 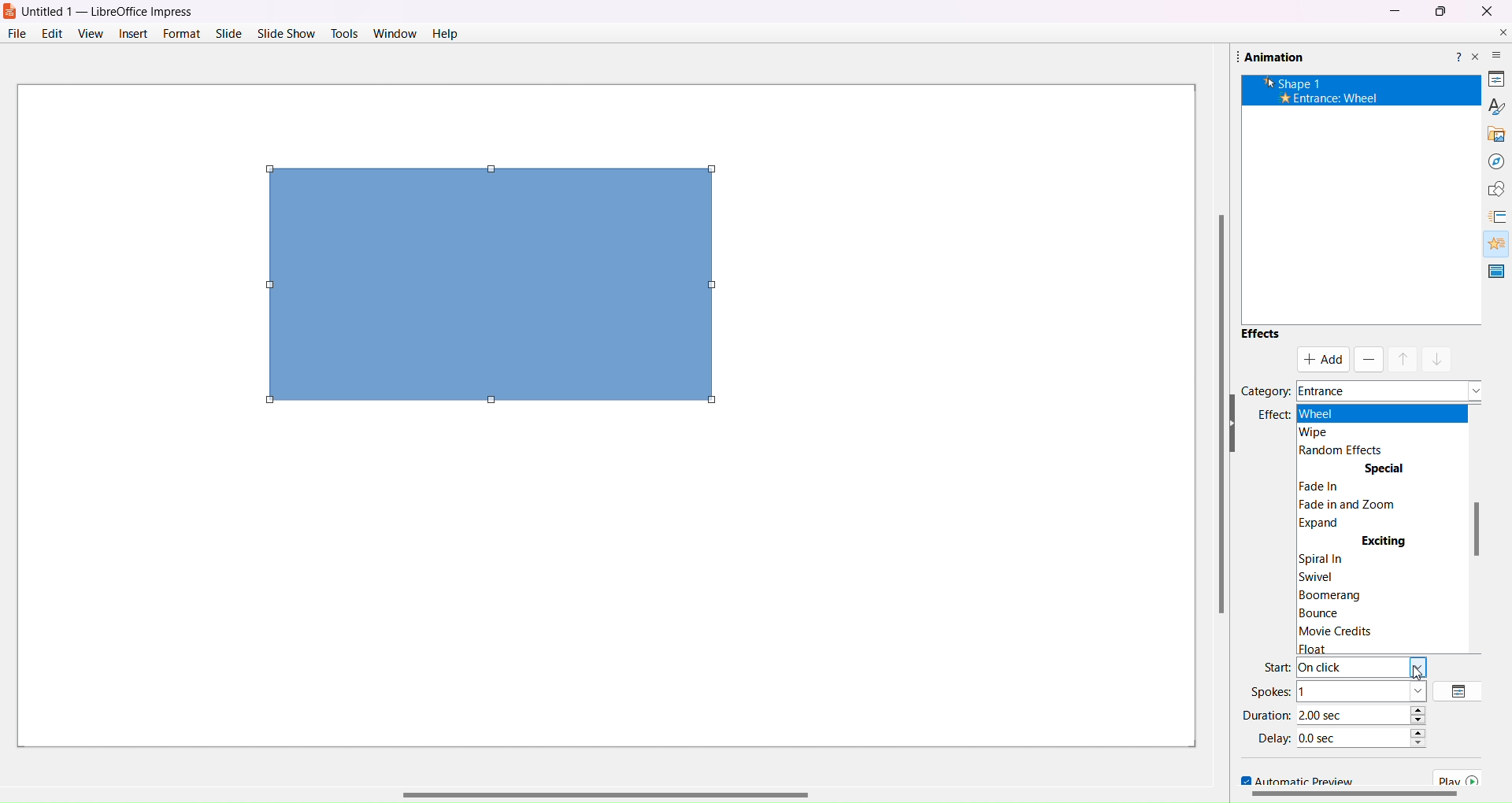 I want to click on Animation, so click(x=1269, y=57).